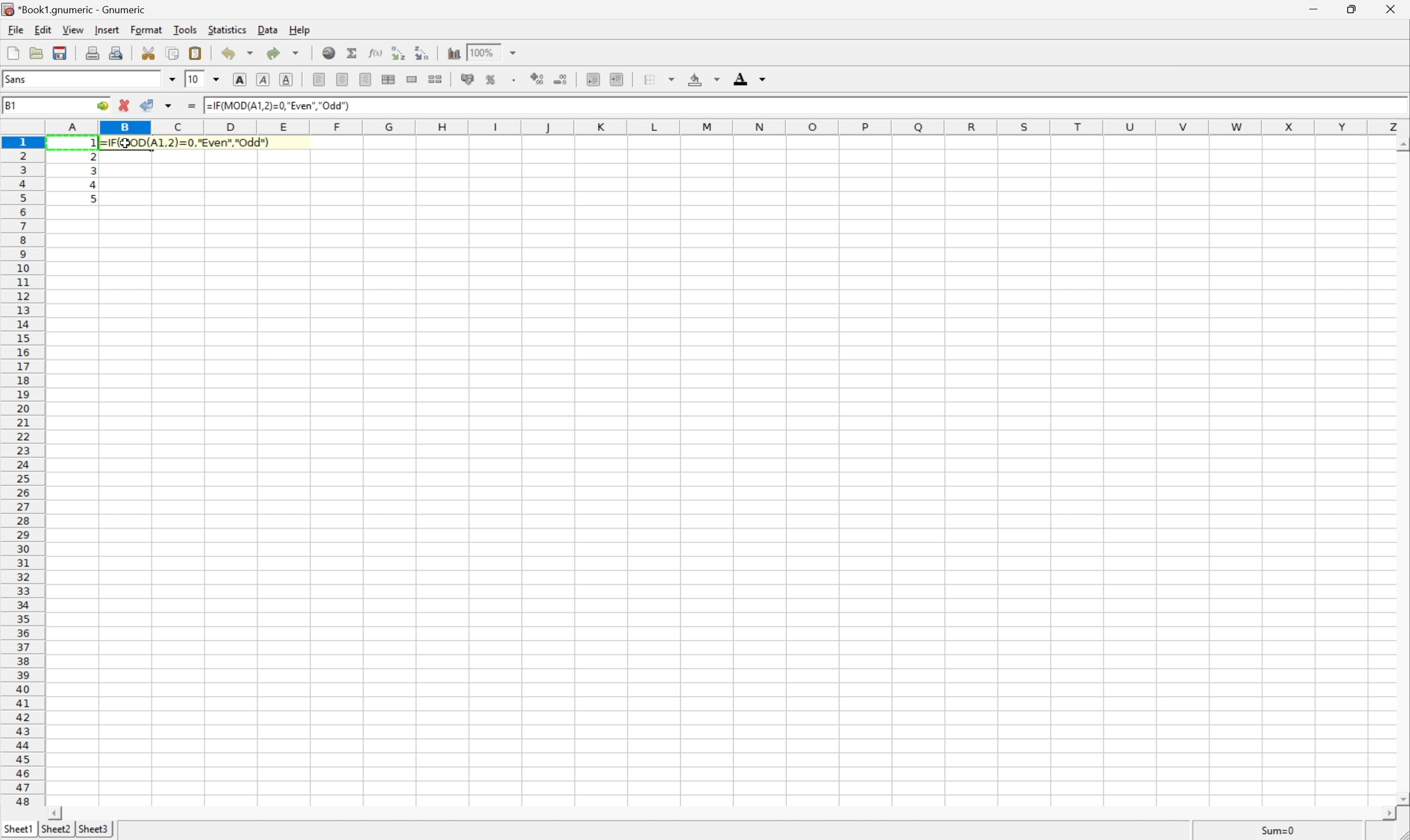 This screenshot has width=1410, height=840. I want to click on Print preview, so click(116, 52).